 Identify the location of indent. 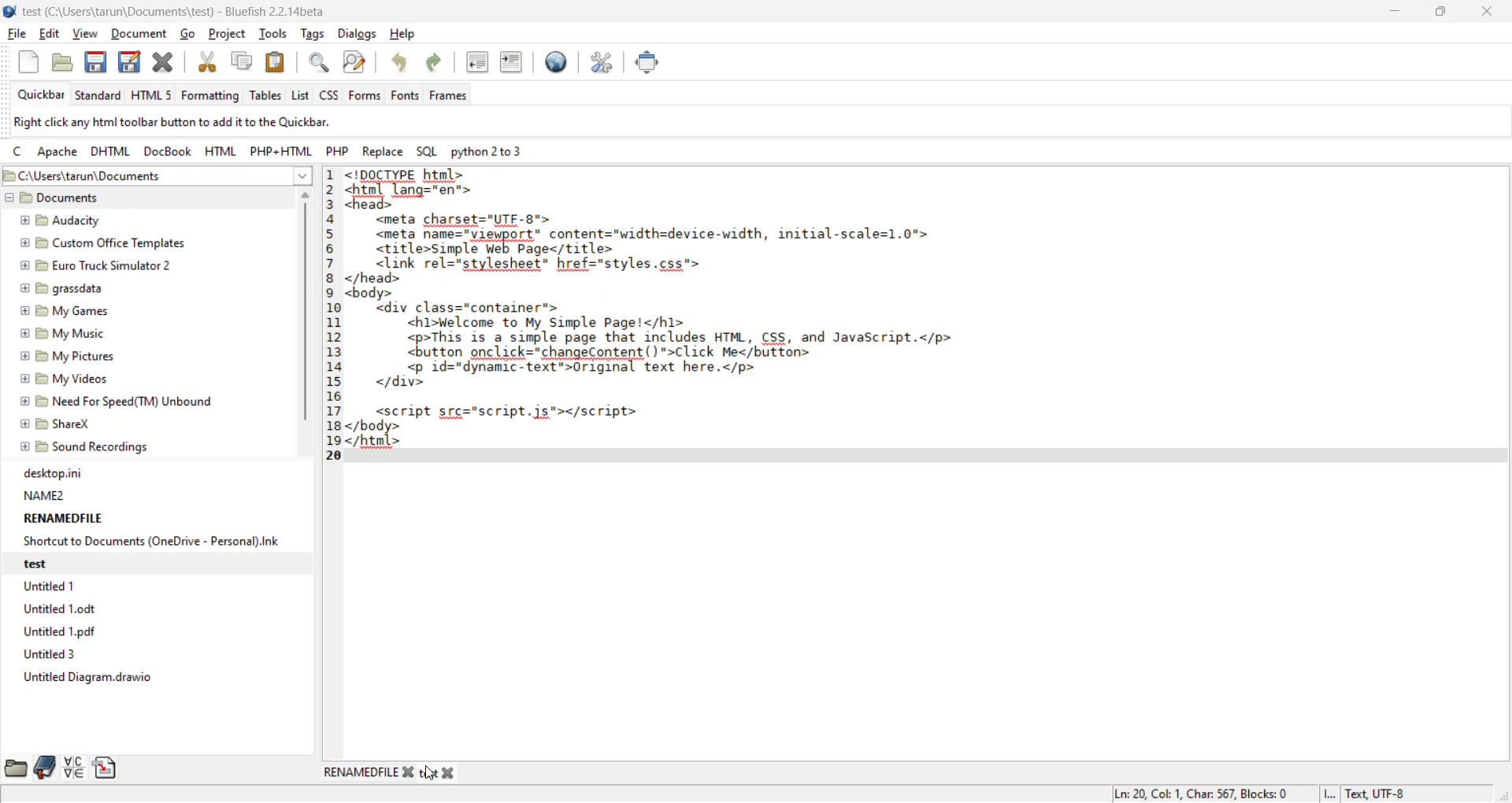
(509, 61).